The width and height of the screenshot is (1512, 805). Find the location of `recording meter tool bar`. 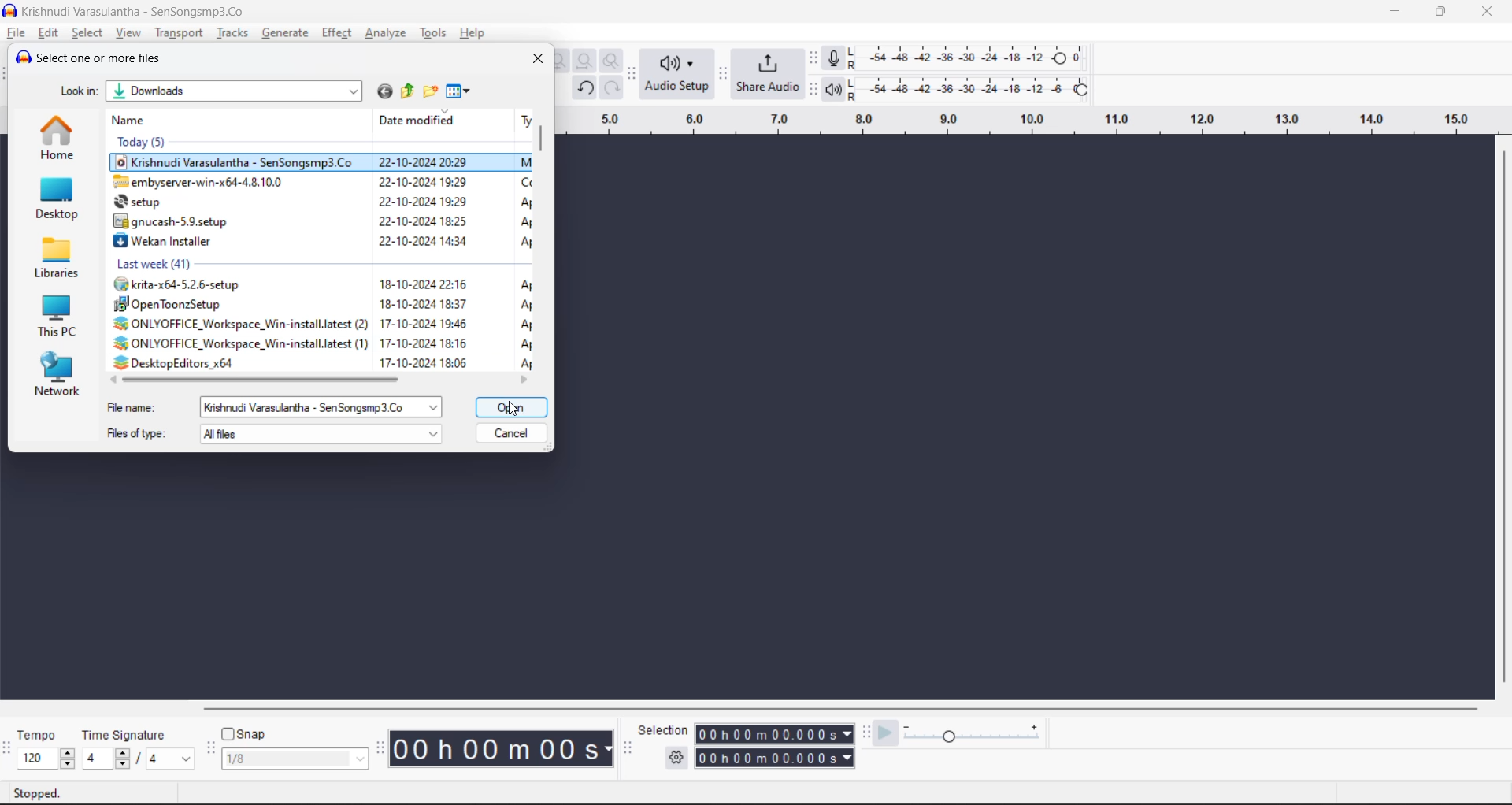

recording meter tool bar is located at coordinates (814, 59).